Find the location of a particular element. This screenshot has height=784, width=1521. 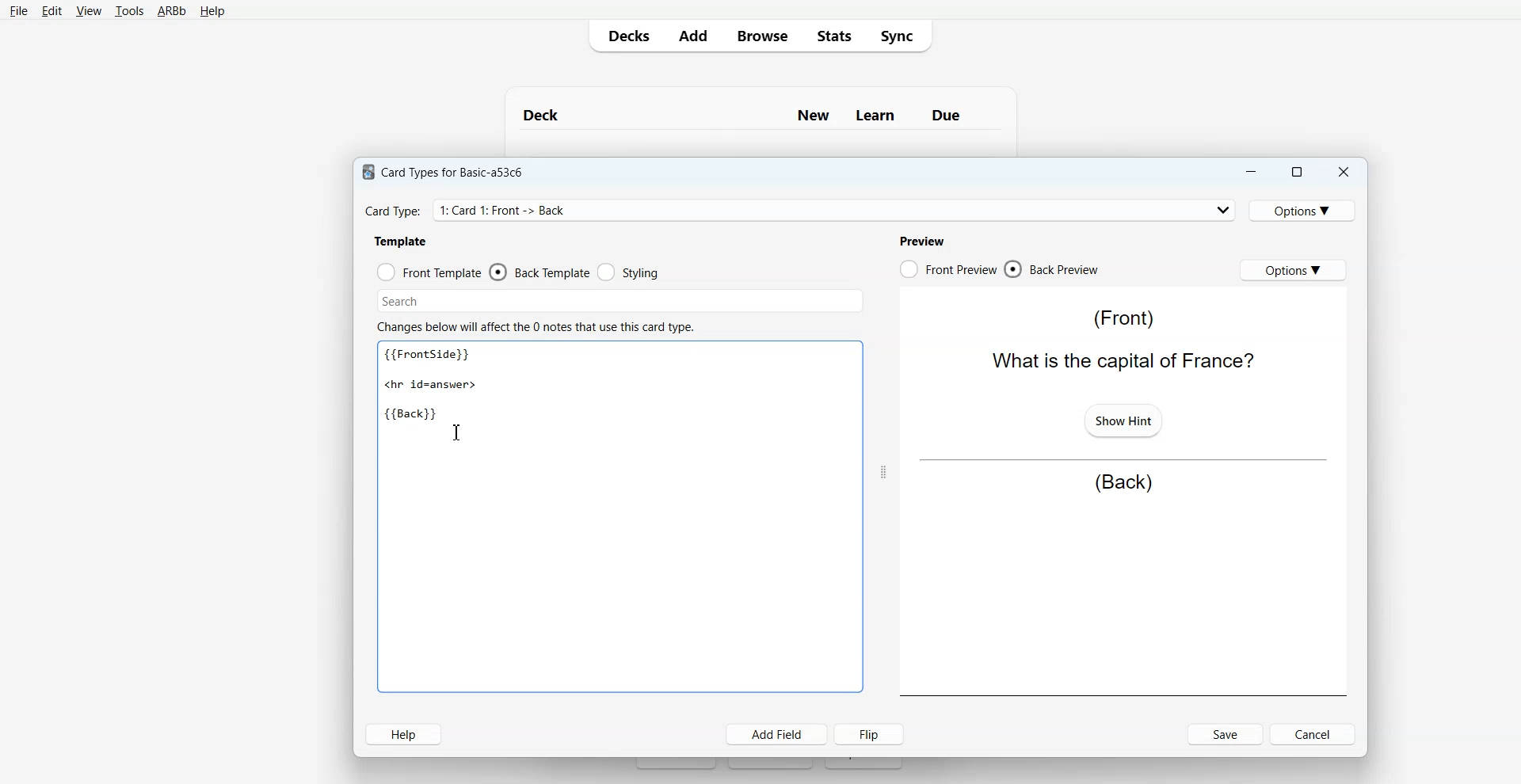

Add Field is located at coordinates (777, 734).